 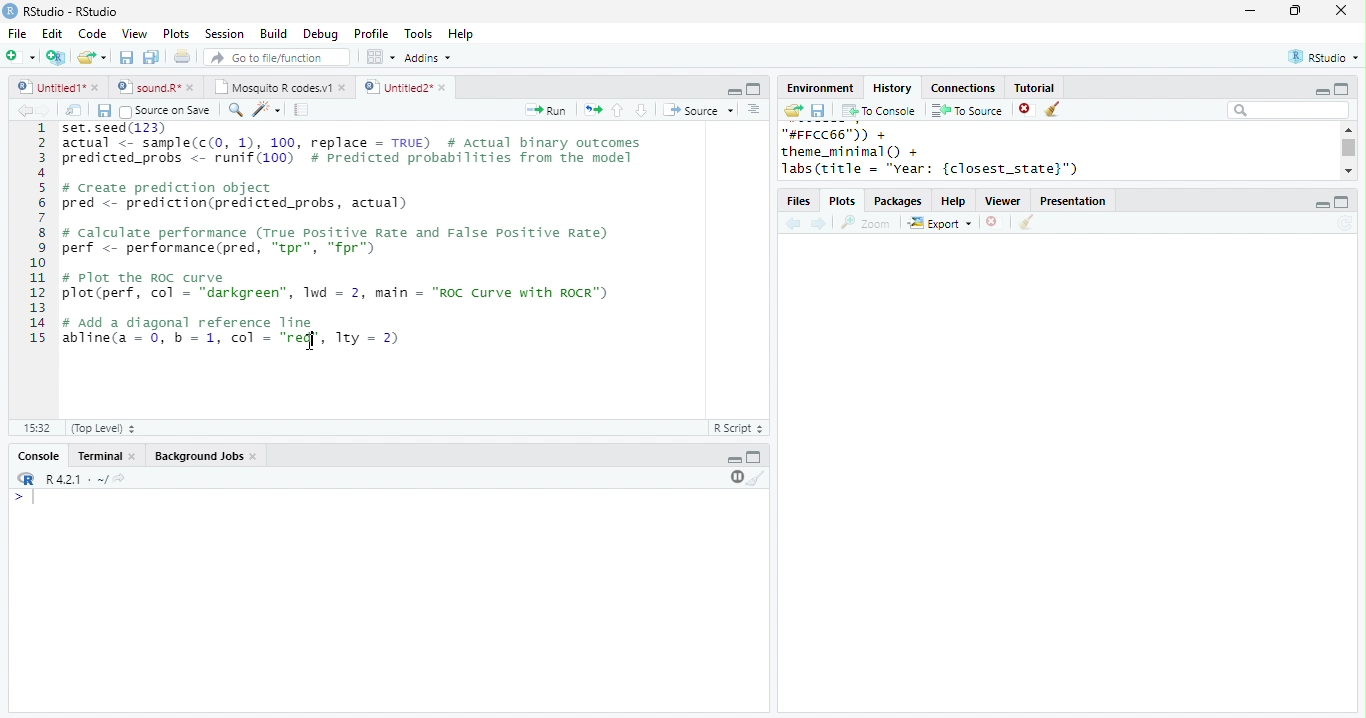 What do you see at coordinates (236, 196) in the screenshot?
I see `# Create prediction object
pred <- prediction(predicted_probs, actual)` at bounding box center [236, 196].